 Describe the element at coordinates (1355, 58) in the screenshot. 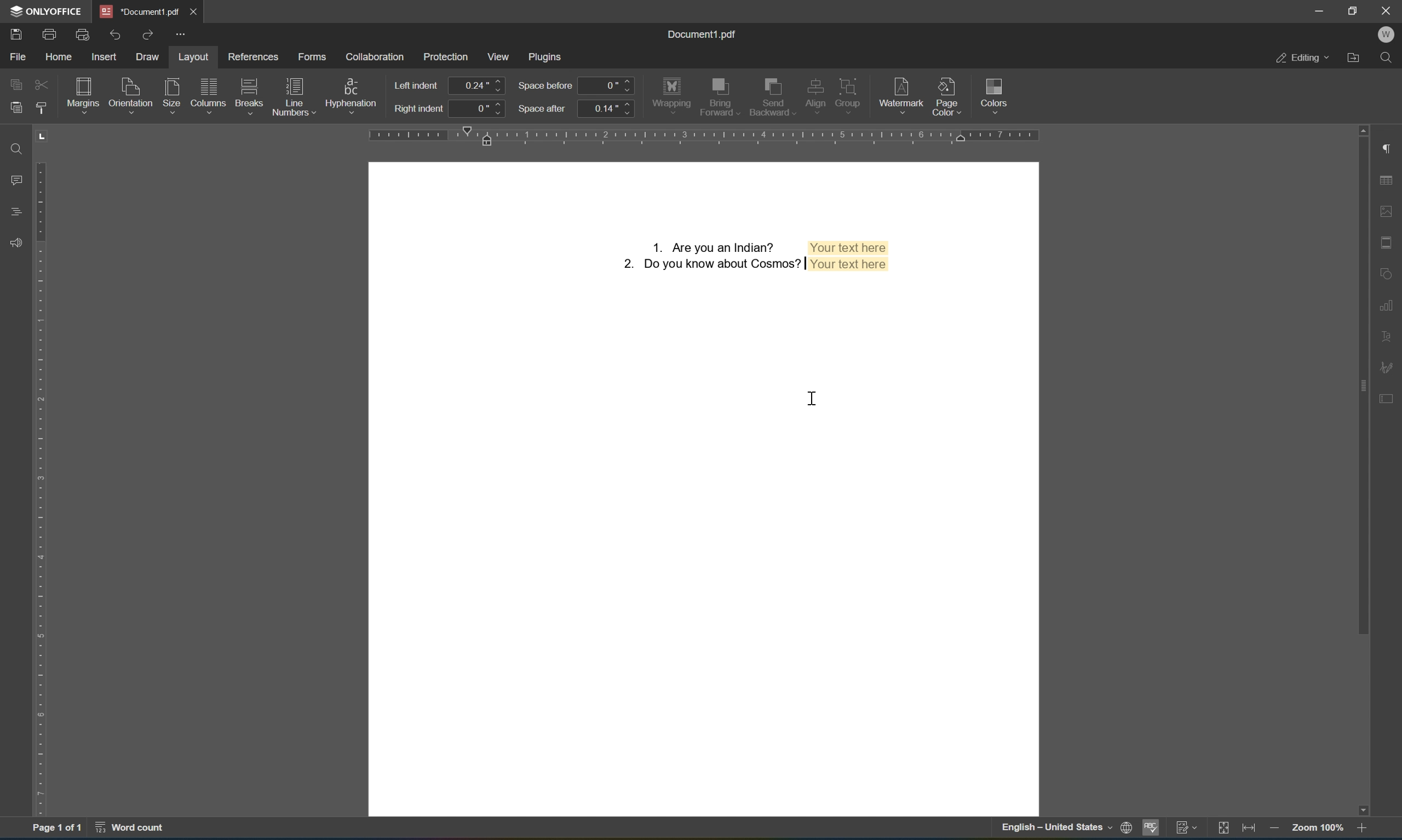

I see `open file location` at that location.